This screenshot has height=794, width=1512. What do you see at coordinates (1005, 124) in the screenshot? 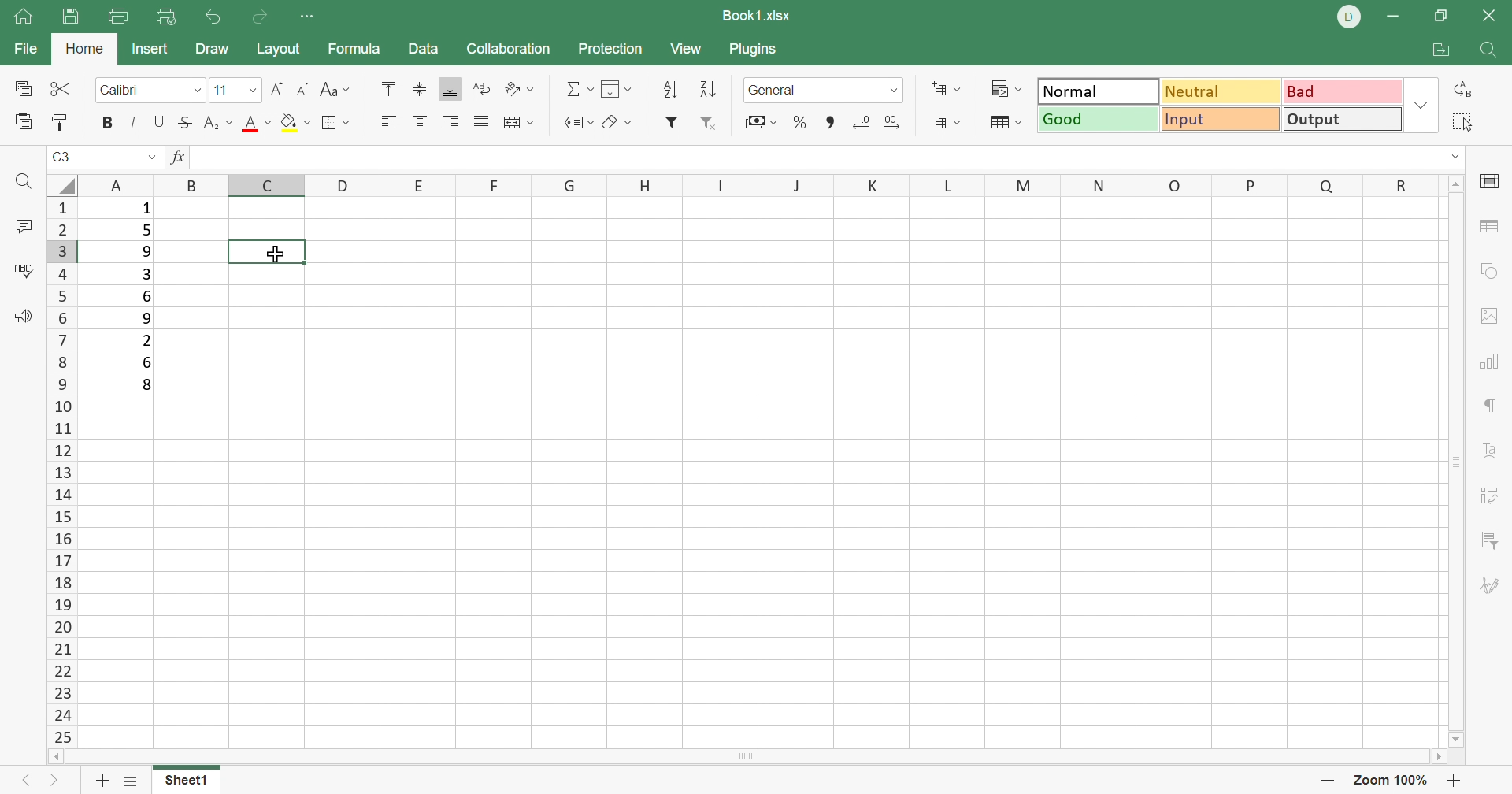
I see `Format table as template` at bounding box center [1005, 124].